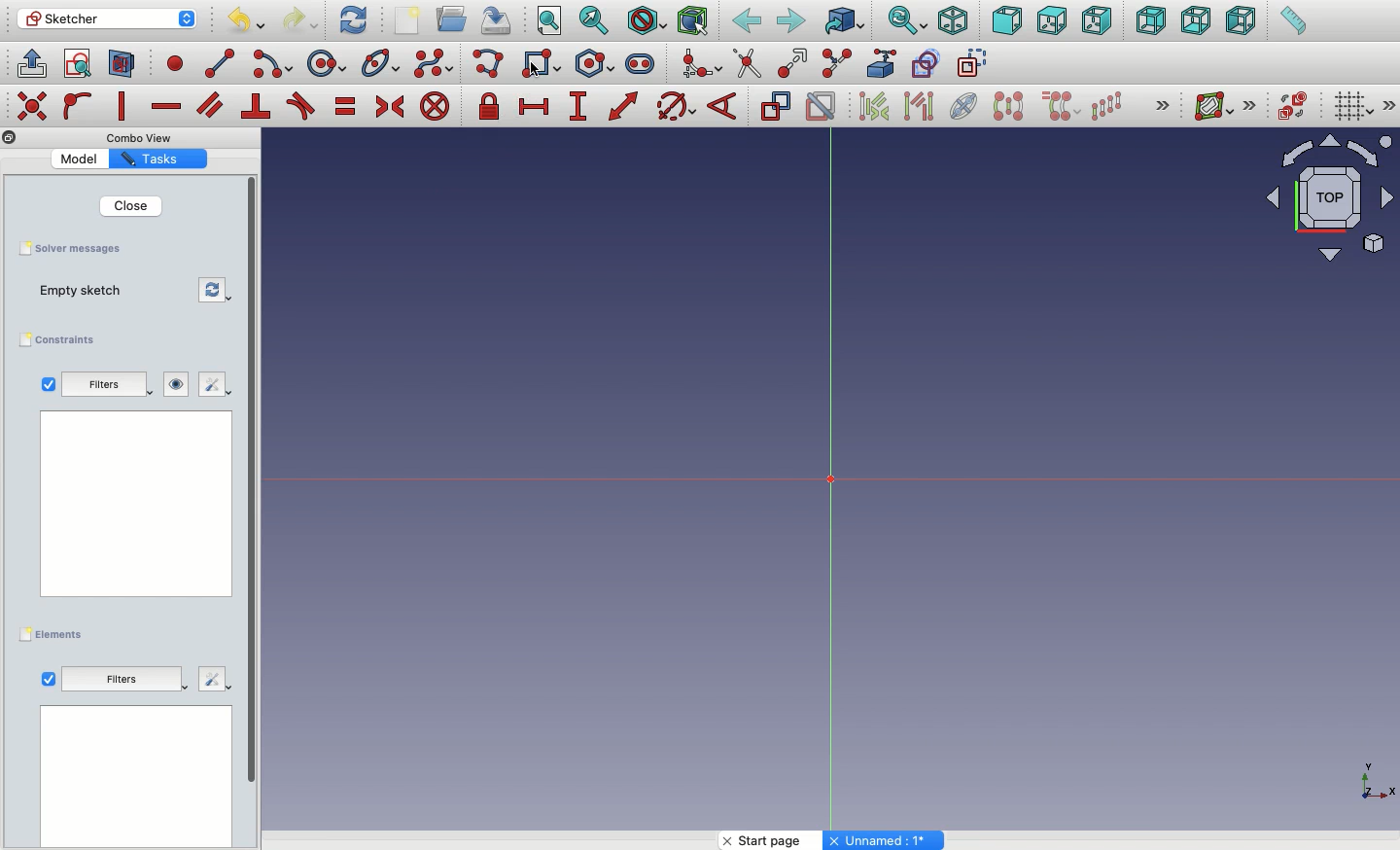 The width and height of the screenshot is (1400, 850). I want to click on Start page, so click(773, 840).